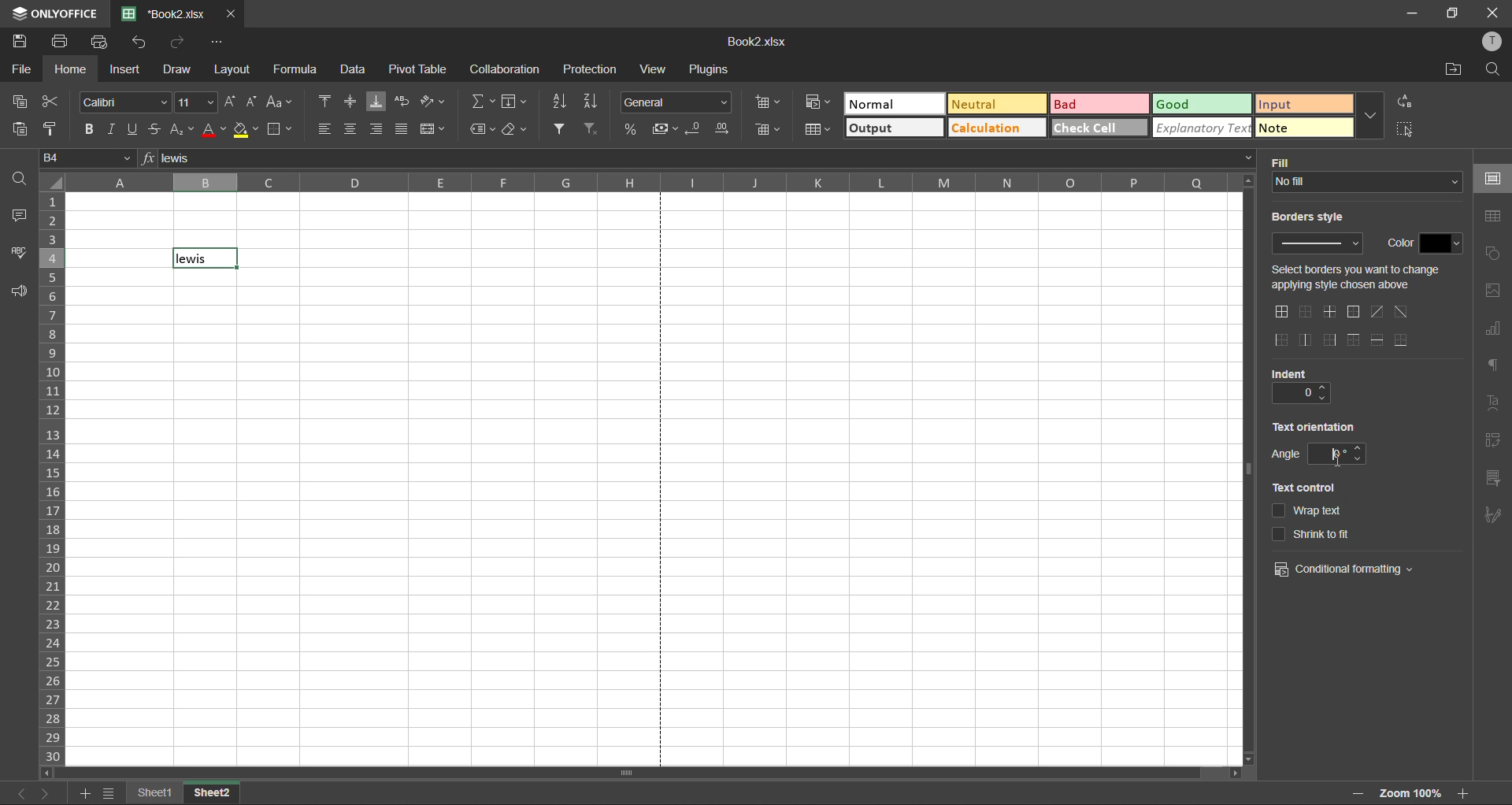 The image size is (1512, 805). What do you see at coordinates (1280, 338) in the screenshot?
I see `outside left border` at bounding box center [1280, 338].